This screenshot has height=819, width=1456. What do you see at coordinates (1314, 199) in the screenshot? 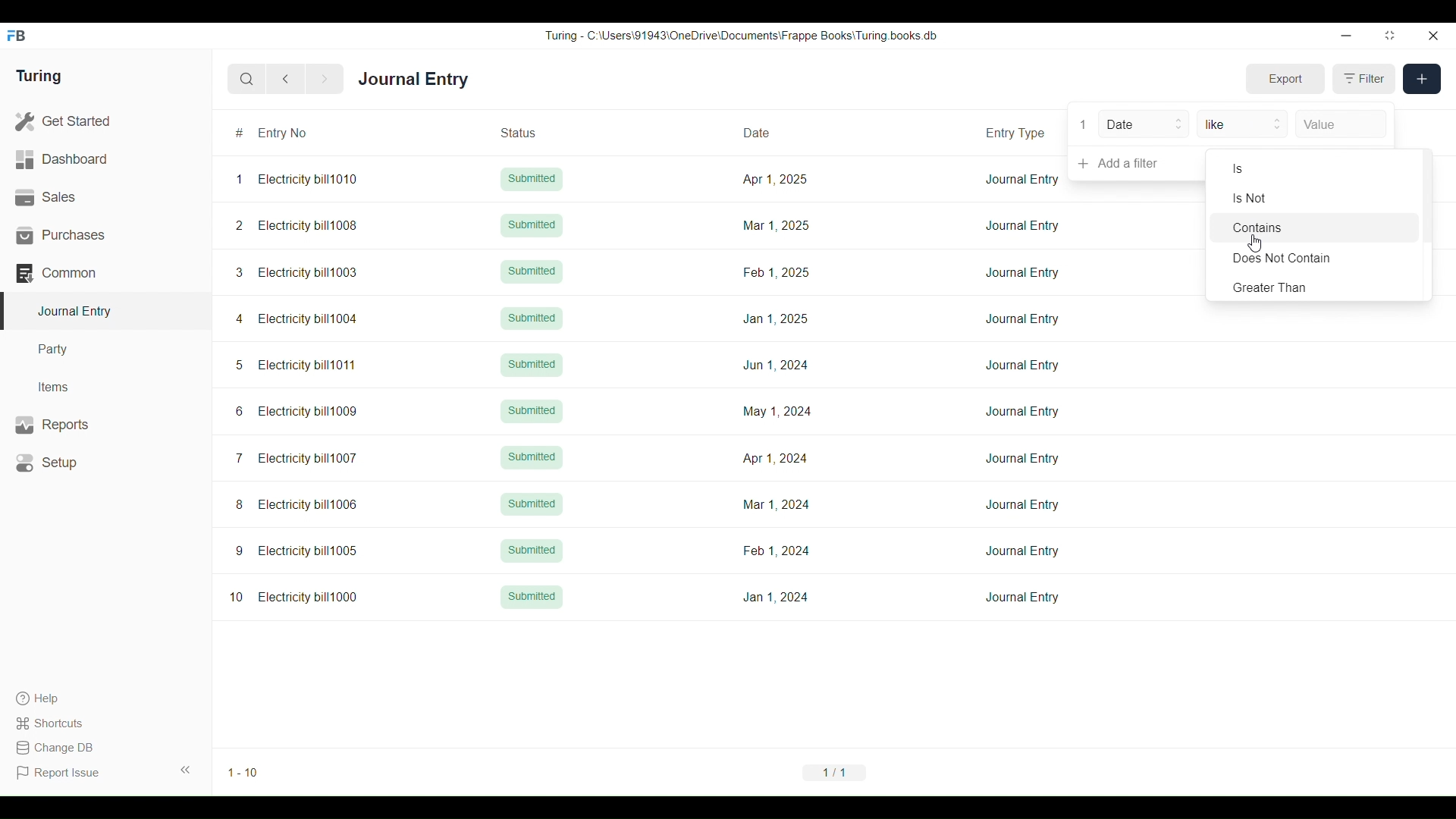
I see `Is Not` at bounding box center [1314, 199].